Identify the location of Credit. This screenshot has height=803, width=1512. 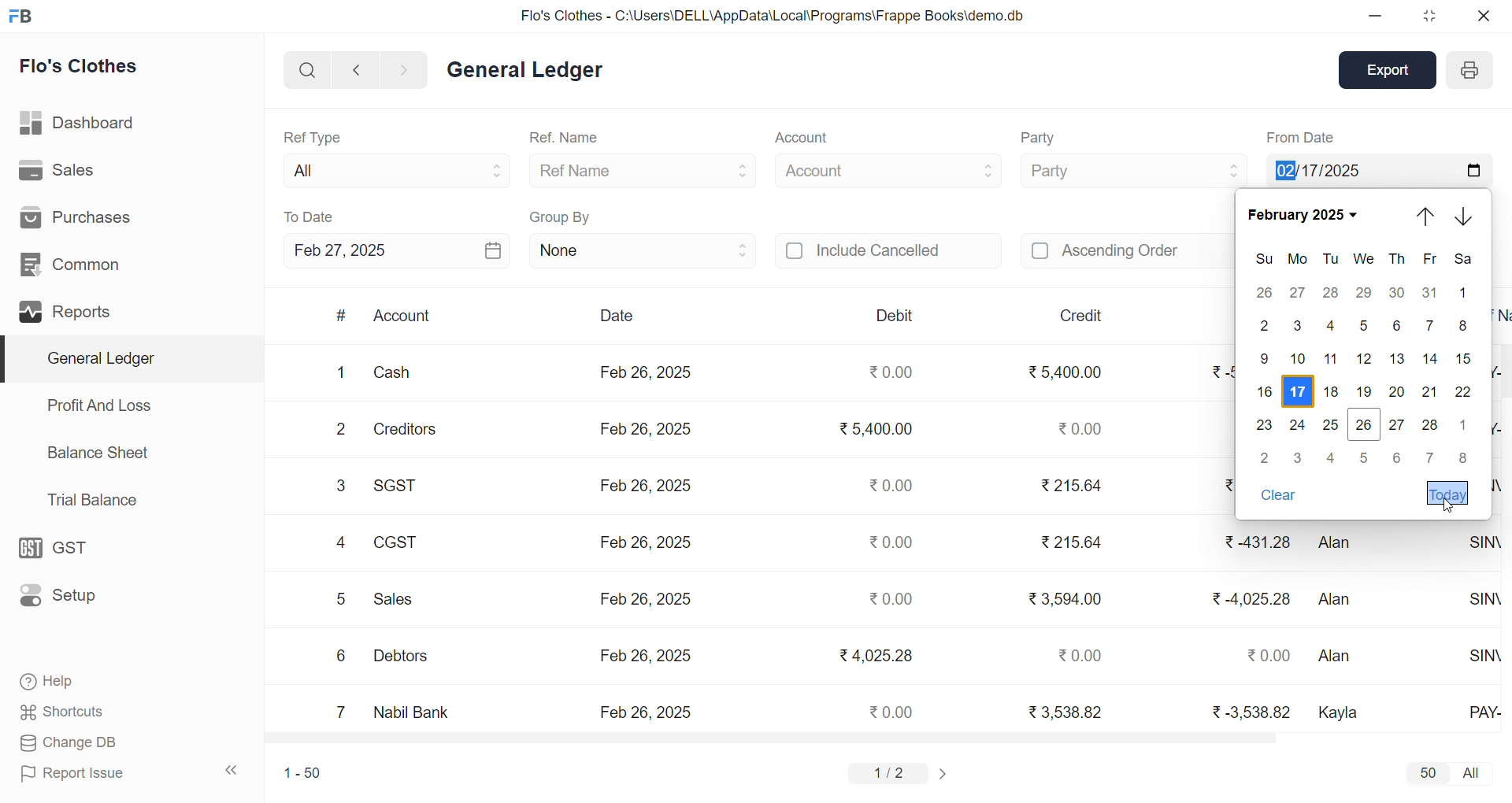
(1083, 316).